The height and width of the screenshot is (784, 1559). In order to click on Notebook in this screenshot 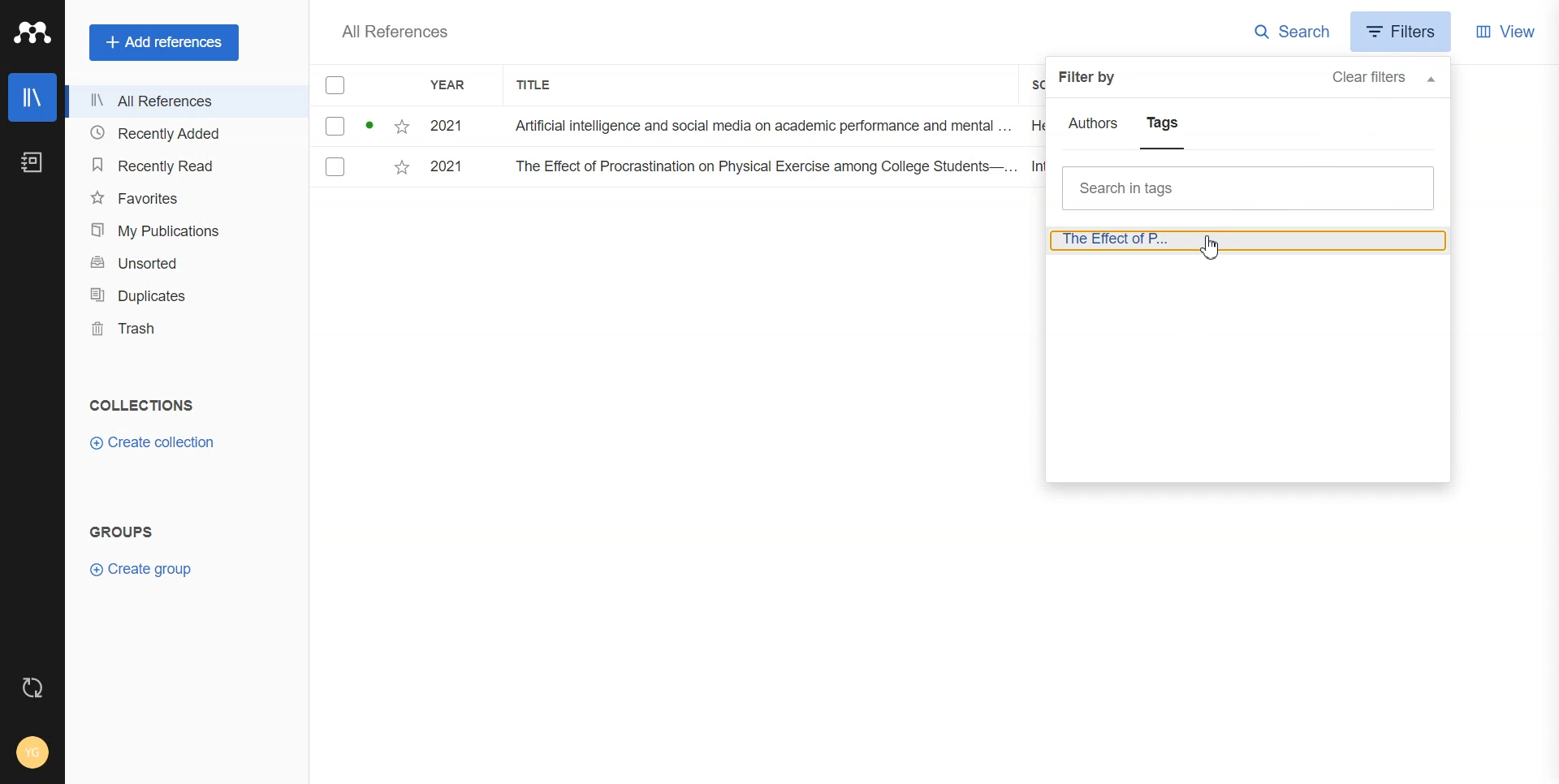, I will do `click(32, 162)`.